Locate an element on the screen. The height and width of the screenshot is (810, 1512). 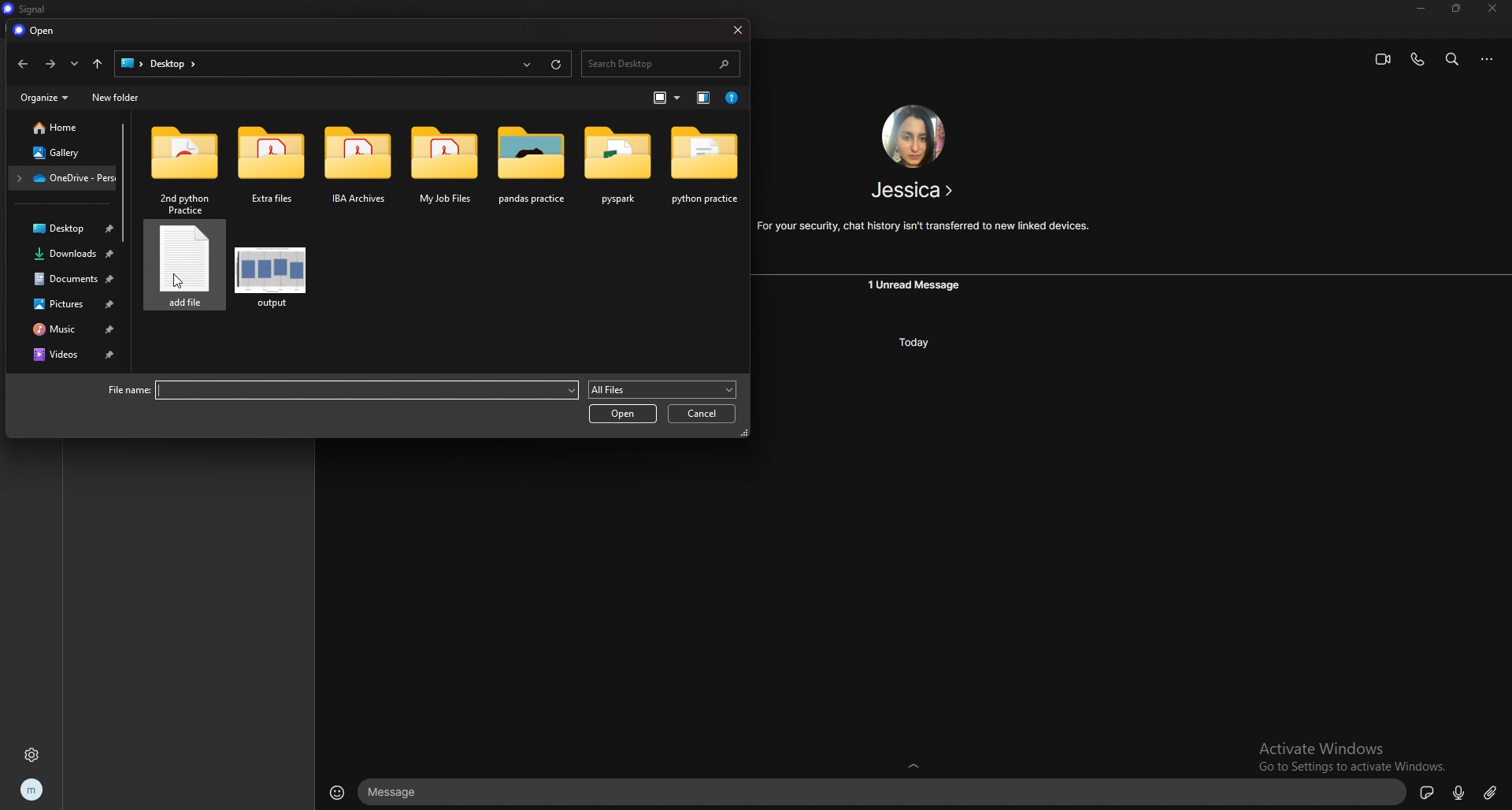
cursor is located at coordinates (176, 280).